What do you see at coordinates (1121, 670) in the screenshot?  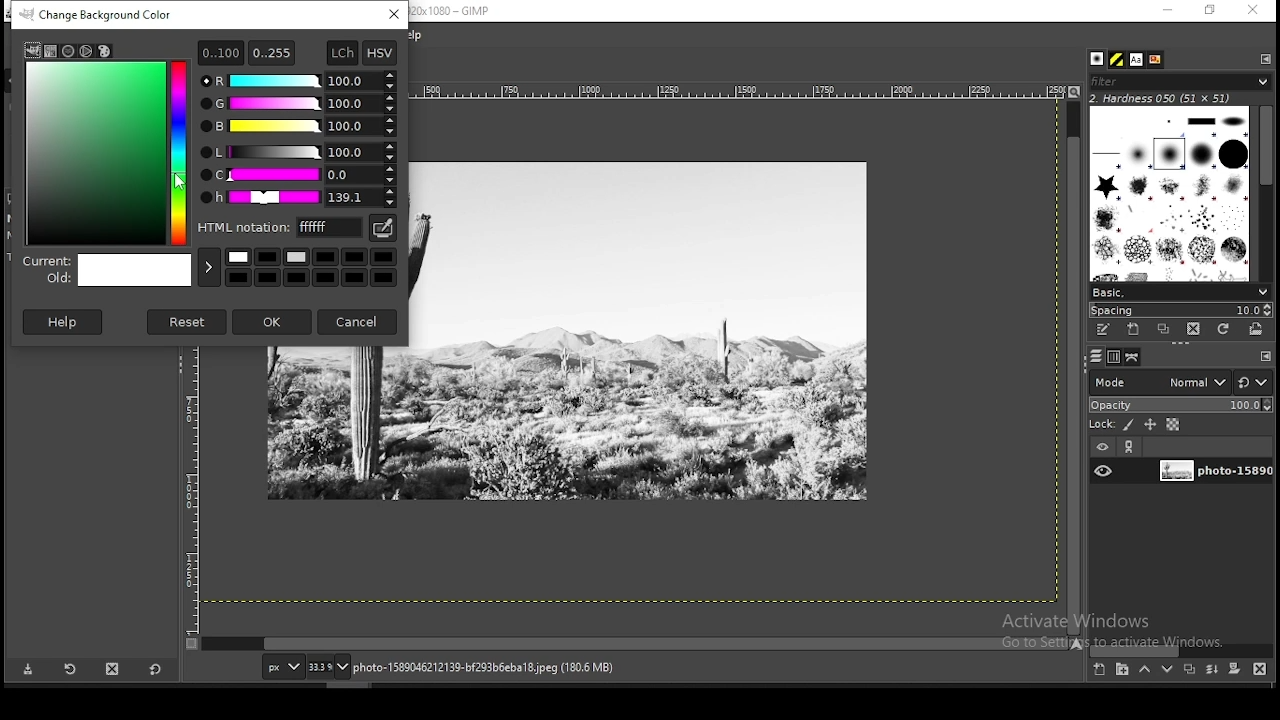 I see `new layer group` at bounding box center [1121, 670].